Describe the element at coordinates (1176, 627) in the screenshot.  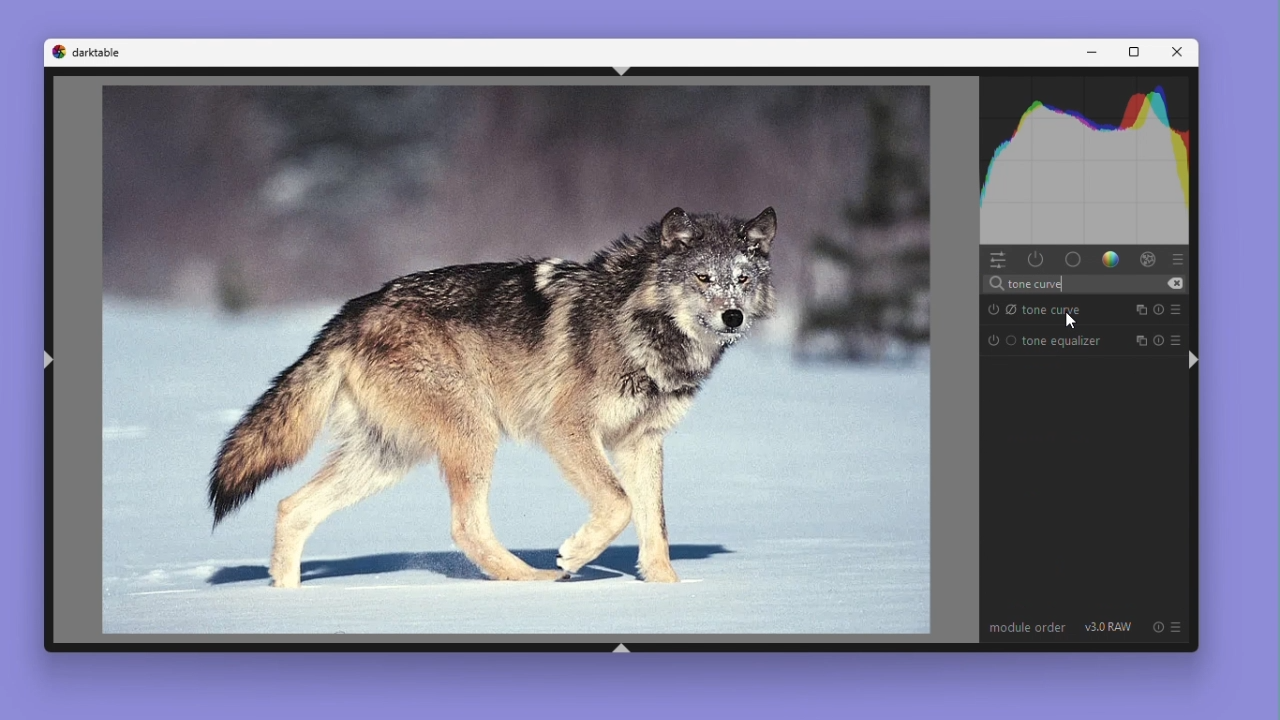
I see `preset` at that location.